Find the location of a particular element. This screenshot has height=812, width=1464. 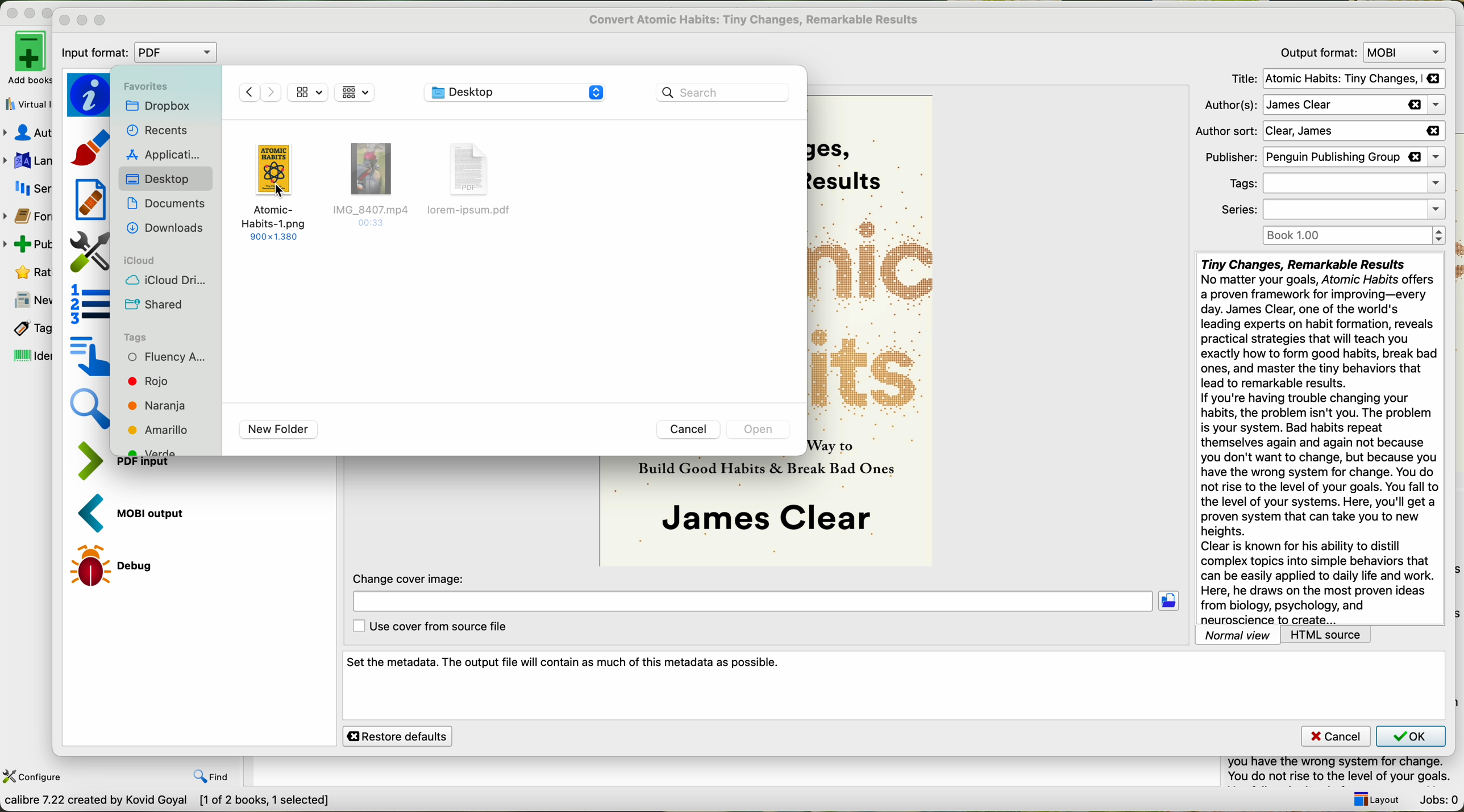

HTML source is located at coordinates (1328, 635).